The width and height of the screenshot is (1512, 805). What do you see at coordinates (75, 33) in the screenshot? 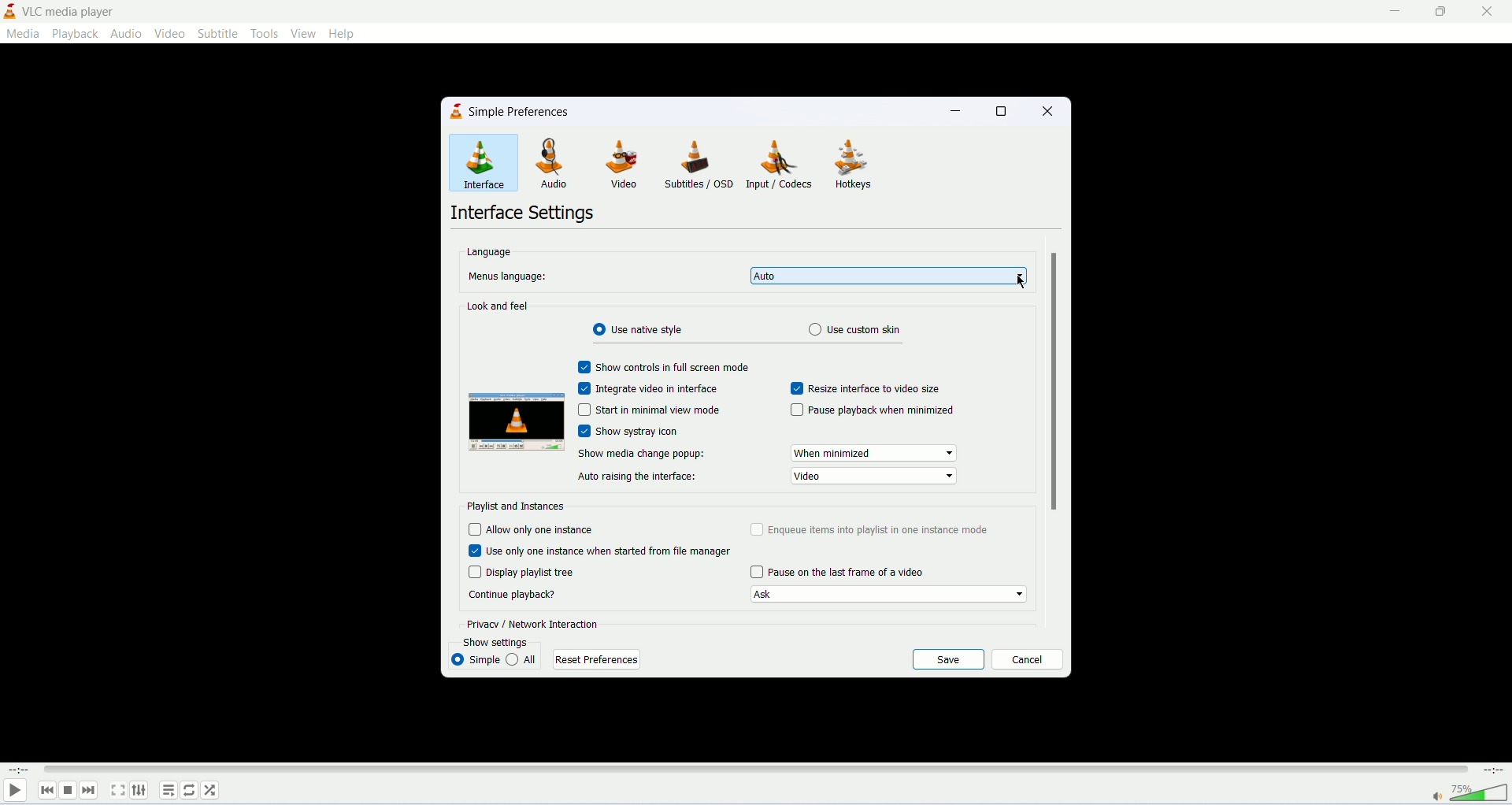
I see `playback` at bounding box center [75, 33].